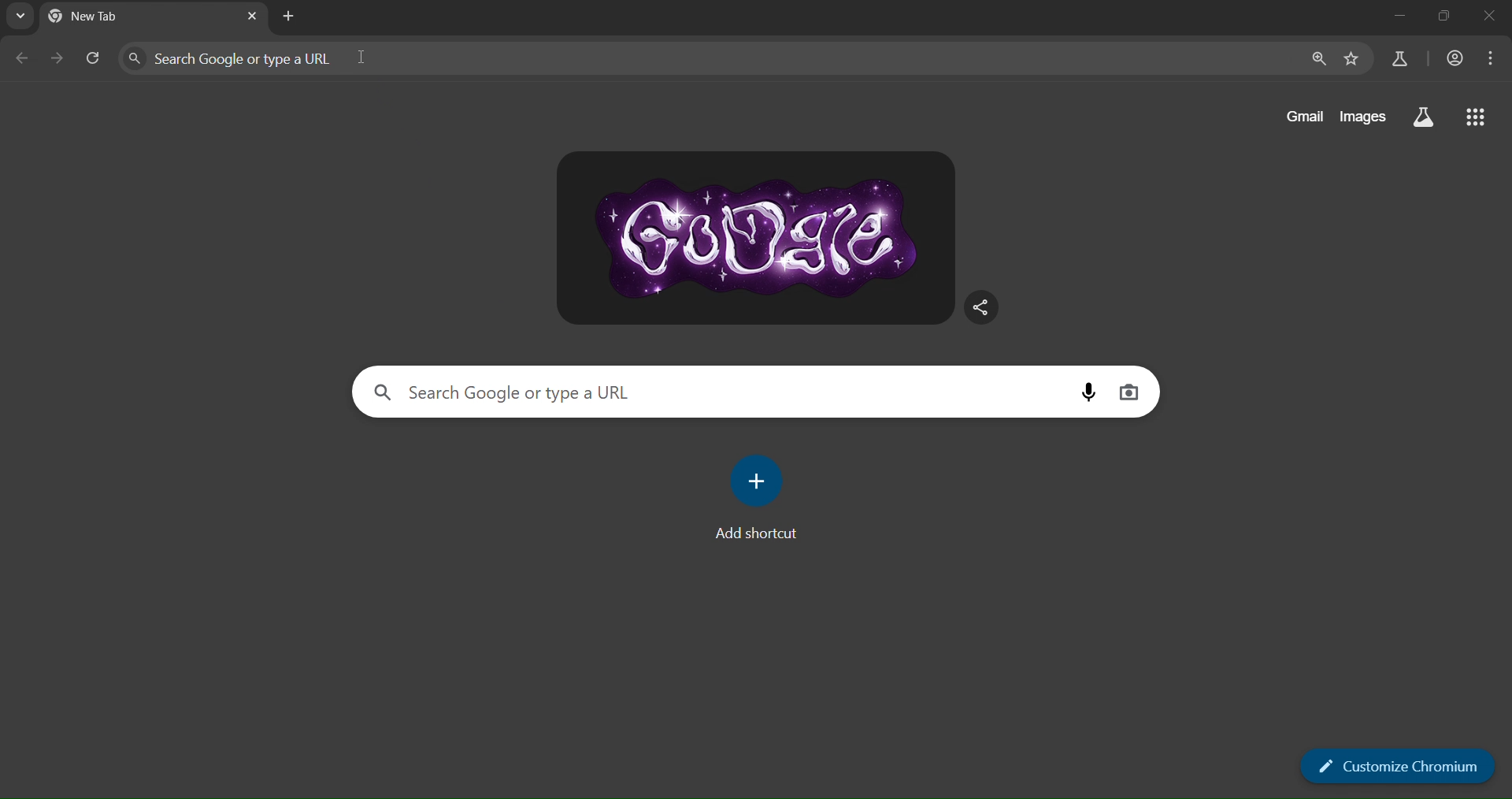 The height and width of the screenshot is (799, 1512). What do you see at coordinates (292, 17) in the screenshot?
I see `new tab` at bounding box center [292, 17].